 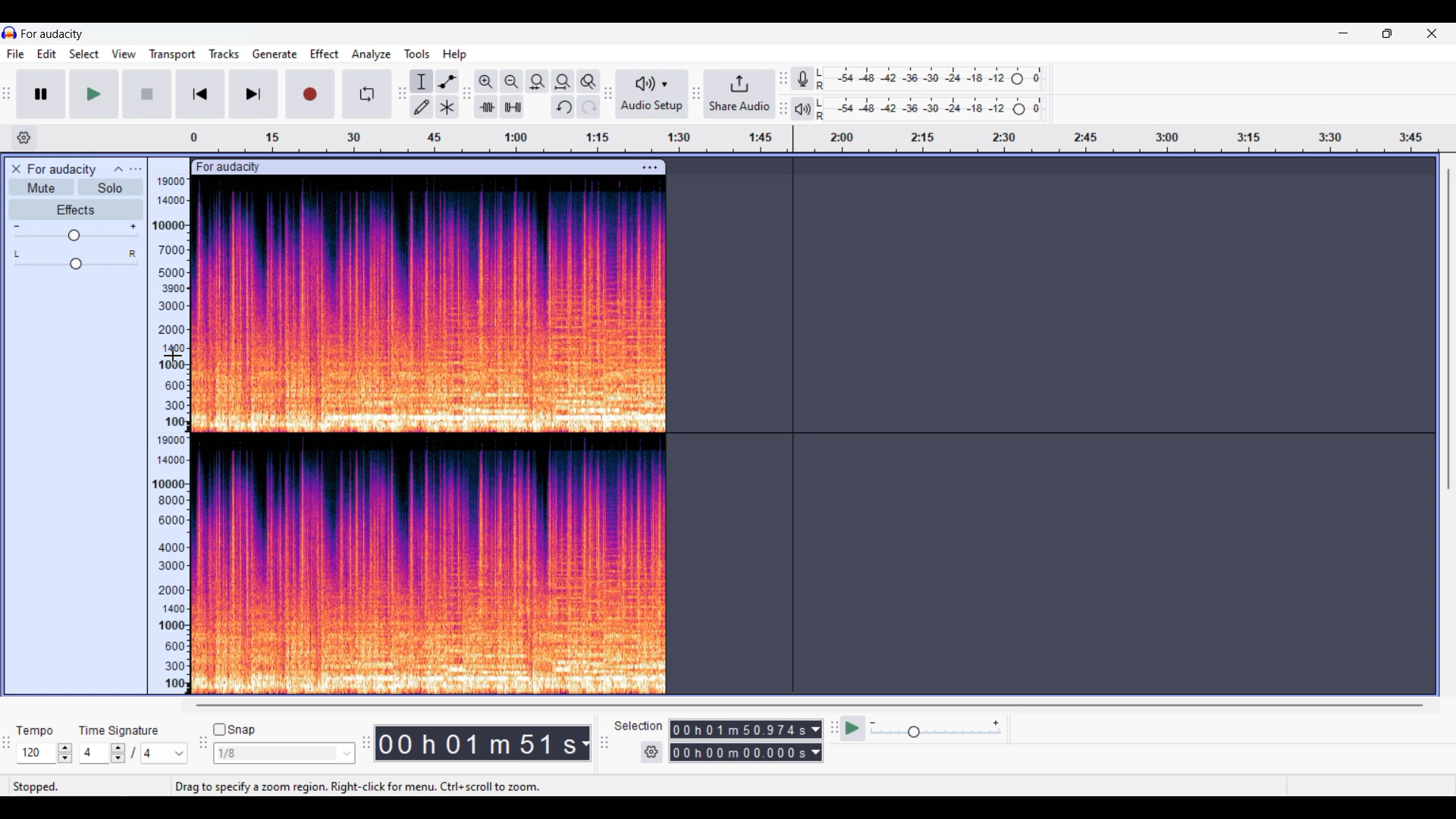 I want to click on File menu, so click(x=16, y=54).